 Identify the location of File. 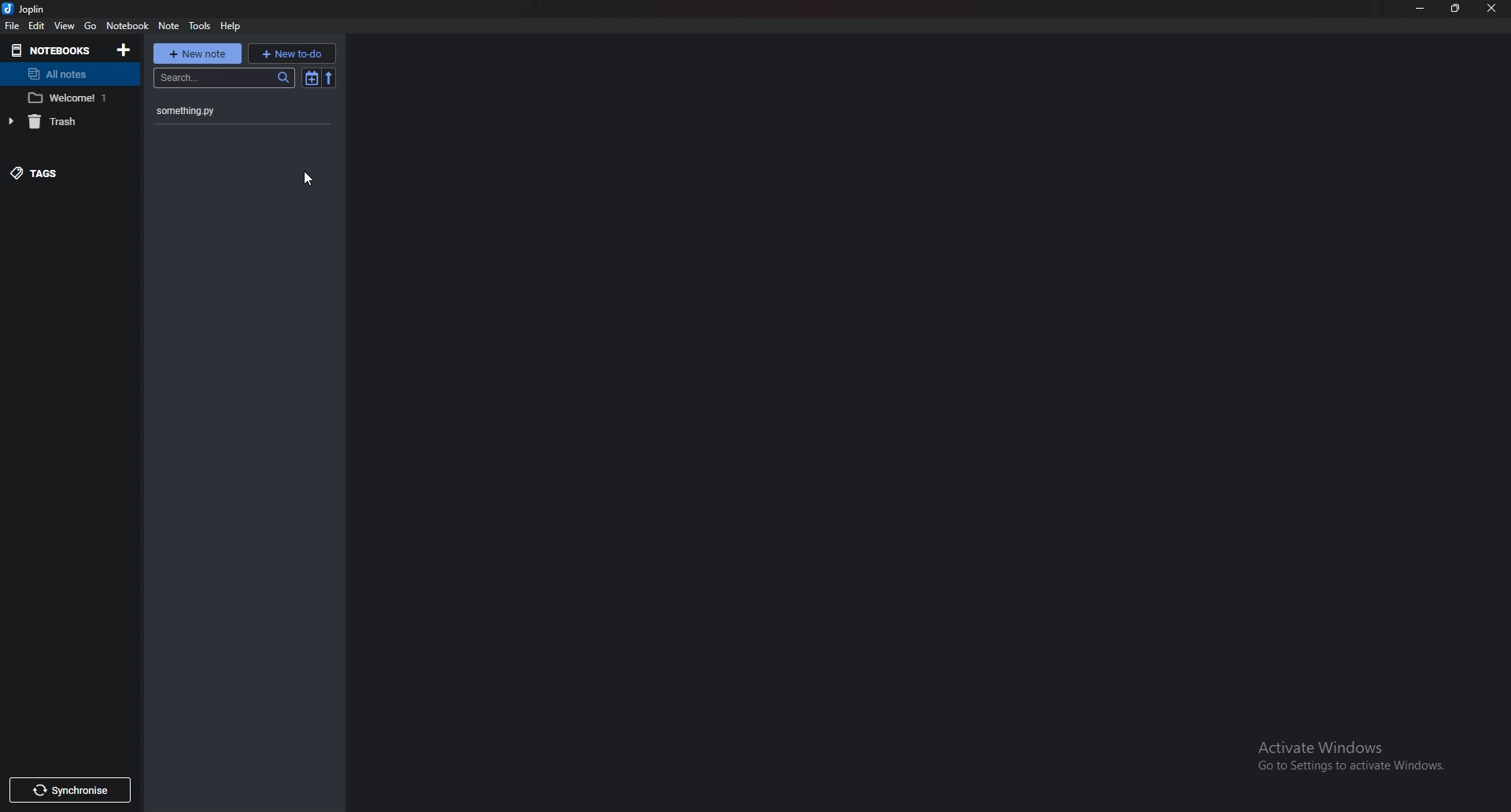
(14, 25).